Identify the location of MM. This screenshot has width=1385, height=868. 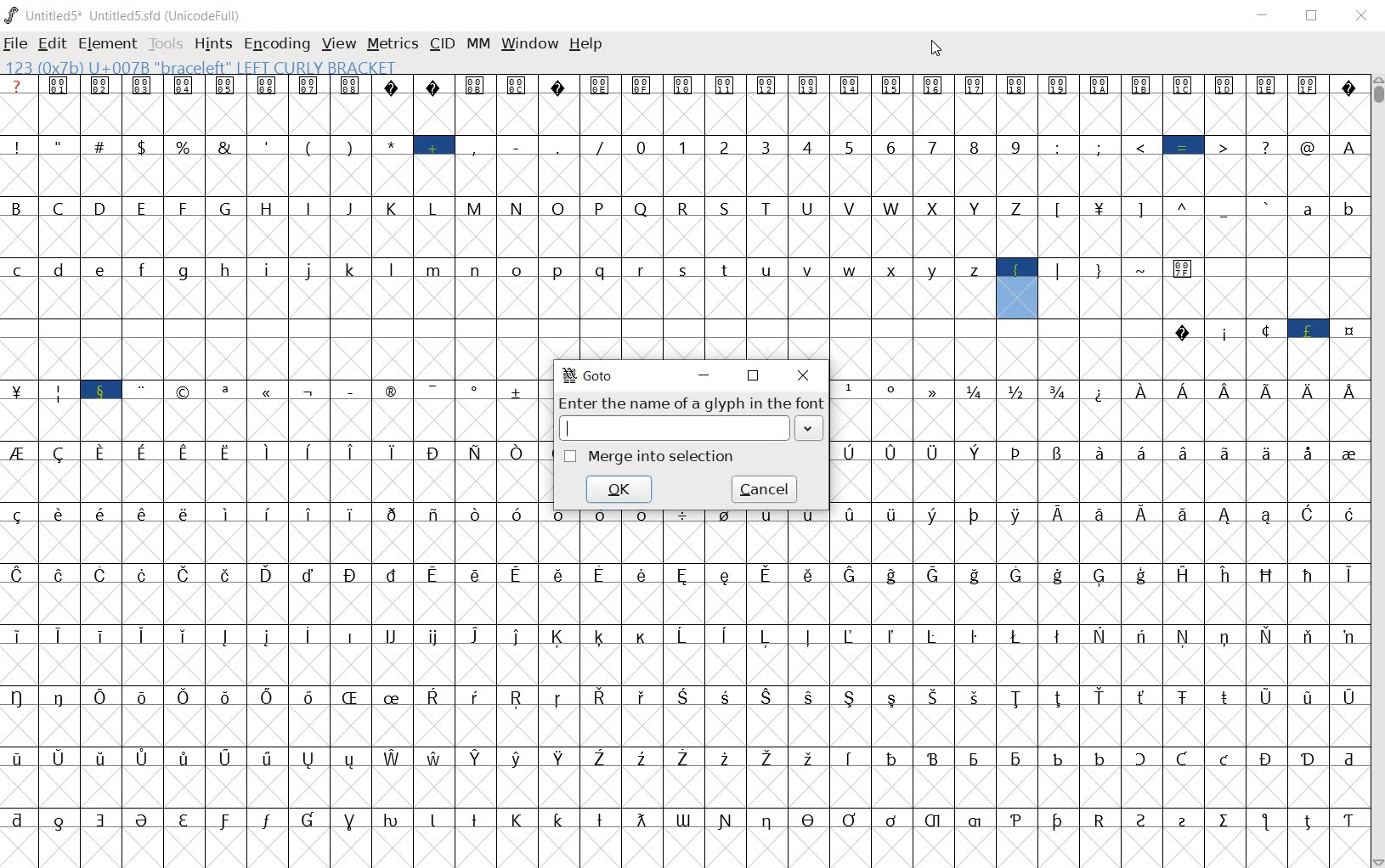
(478, 45).